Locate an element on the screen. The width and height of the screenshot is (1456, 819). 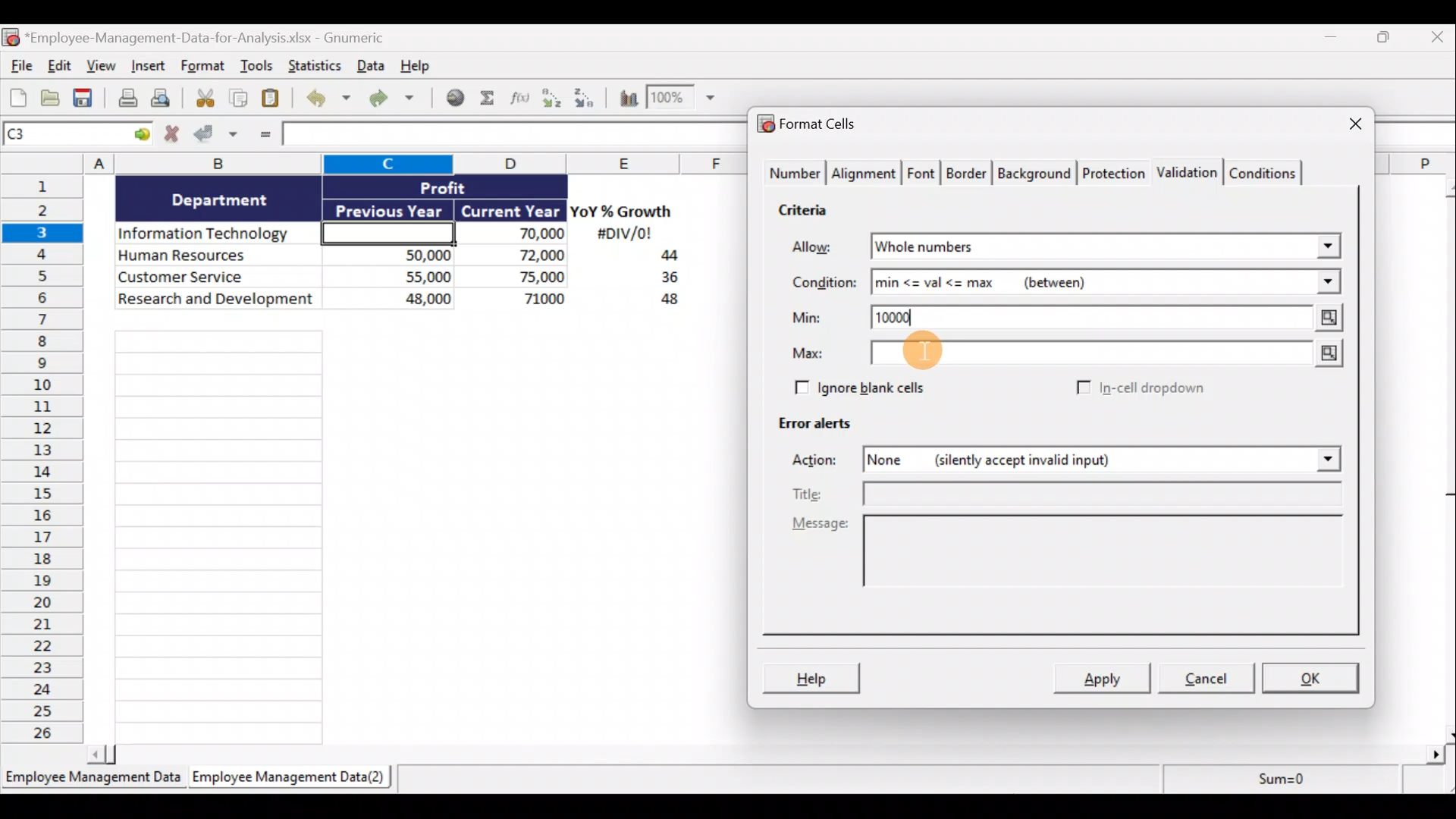
Insert hyperlink is located at coordinates (457, 98).